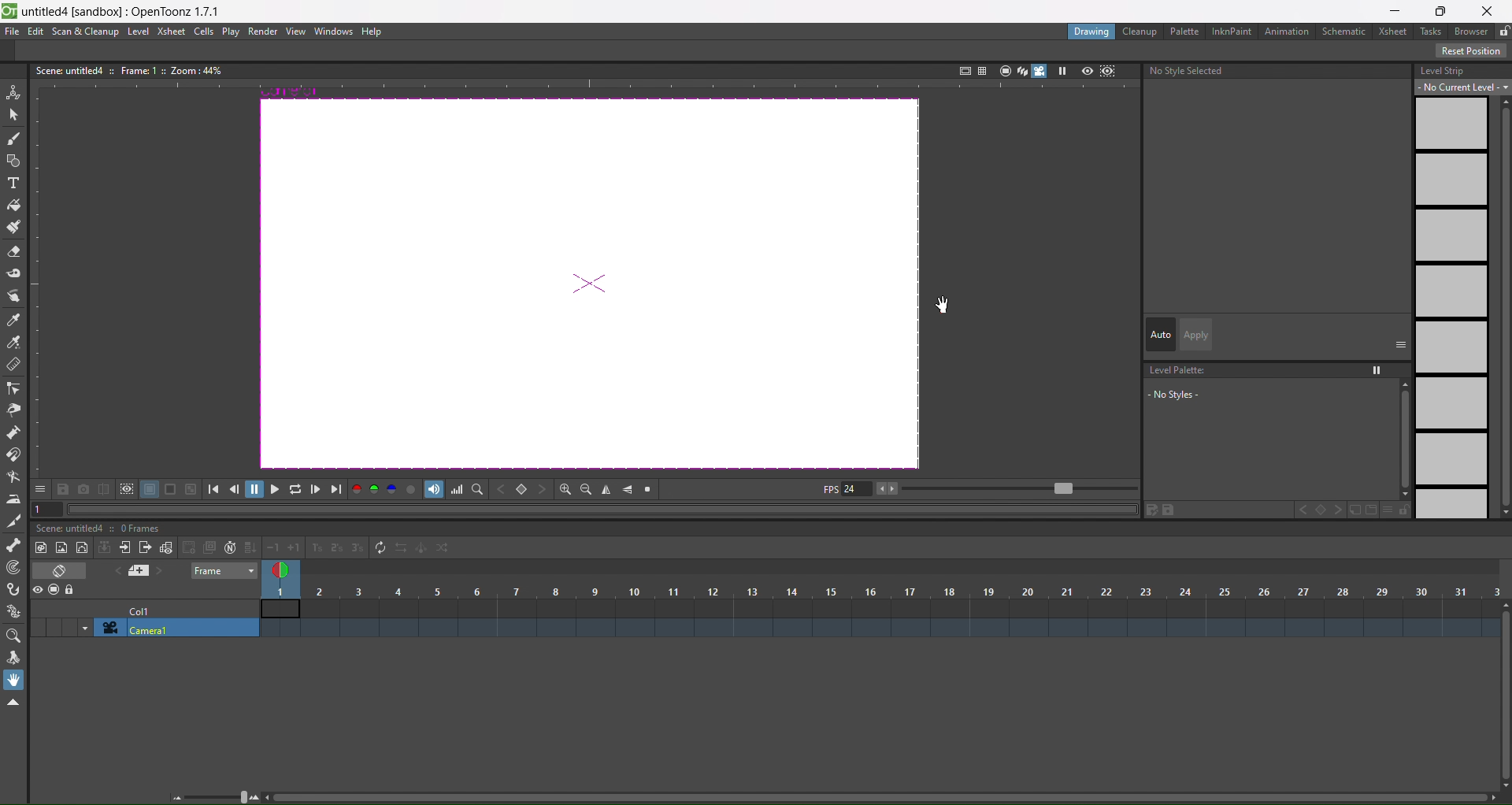  Describe the element at coordinates (586, 488) in the screenshot. I see `zoom out` at that location.